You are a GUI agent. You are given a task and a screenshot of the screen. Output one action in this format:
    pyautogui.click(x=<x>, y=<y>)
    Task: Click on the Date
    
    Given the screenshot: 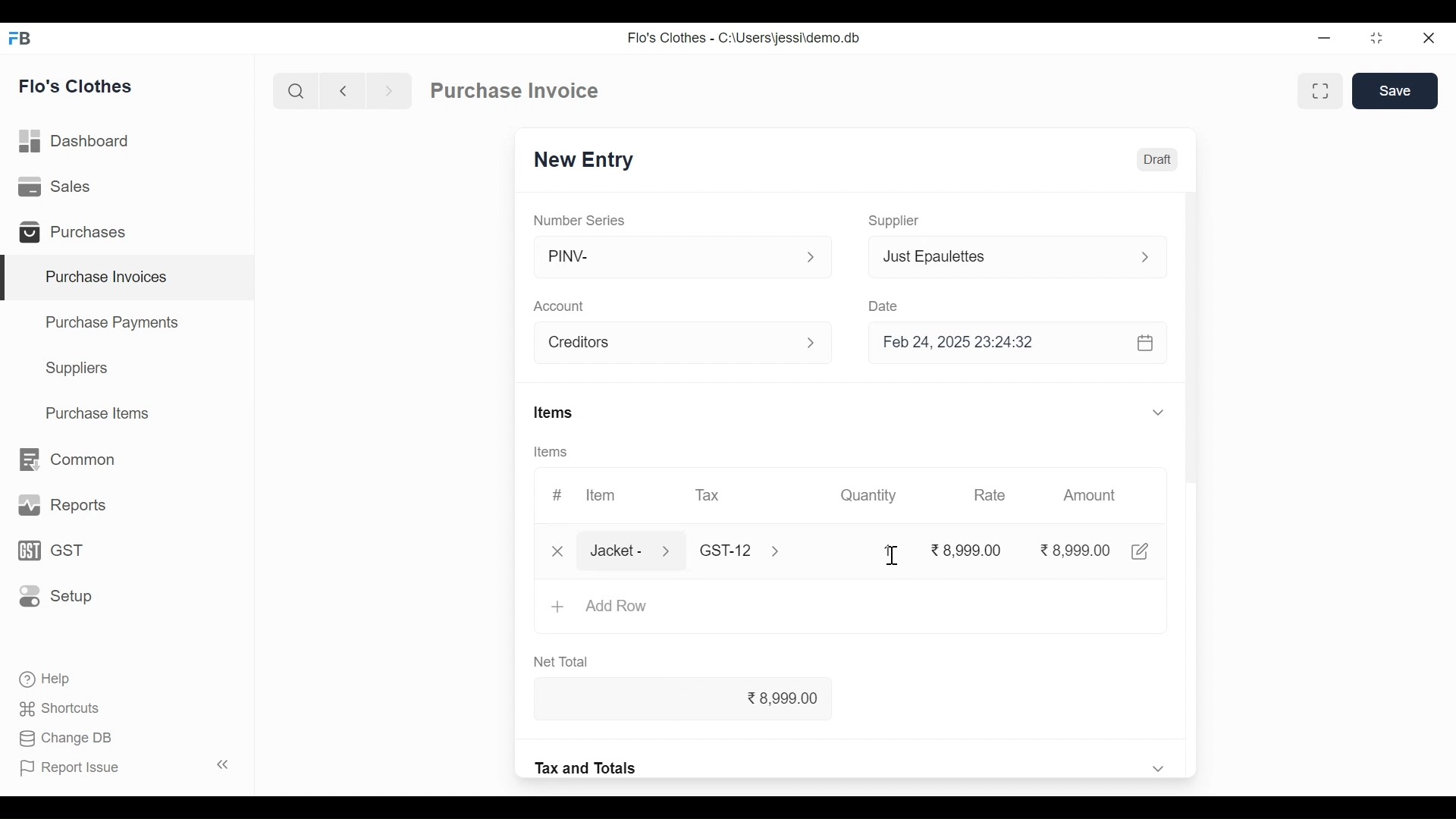 What is the action you would take?
    pyautogui.click(x=883, y=303)
    